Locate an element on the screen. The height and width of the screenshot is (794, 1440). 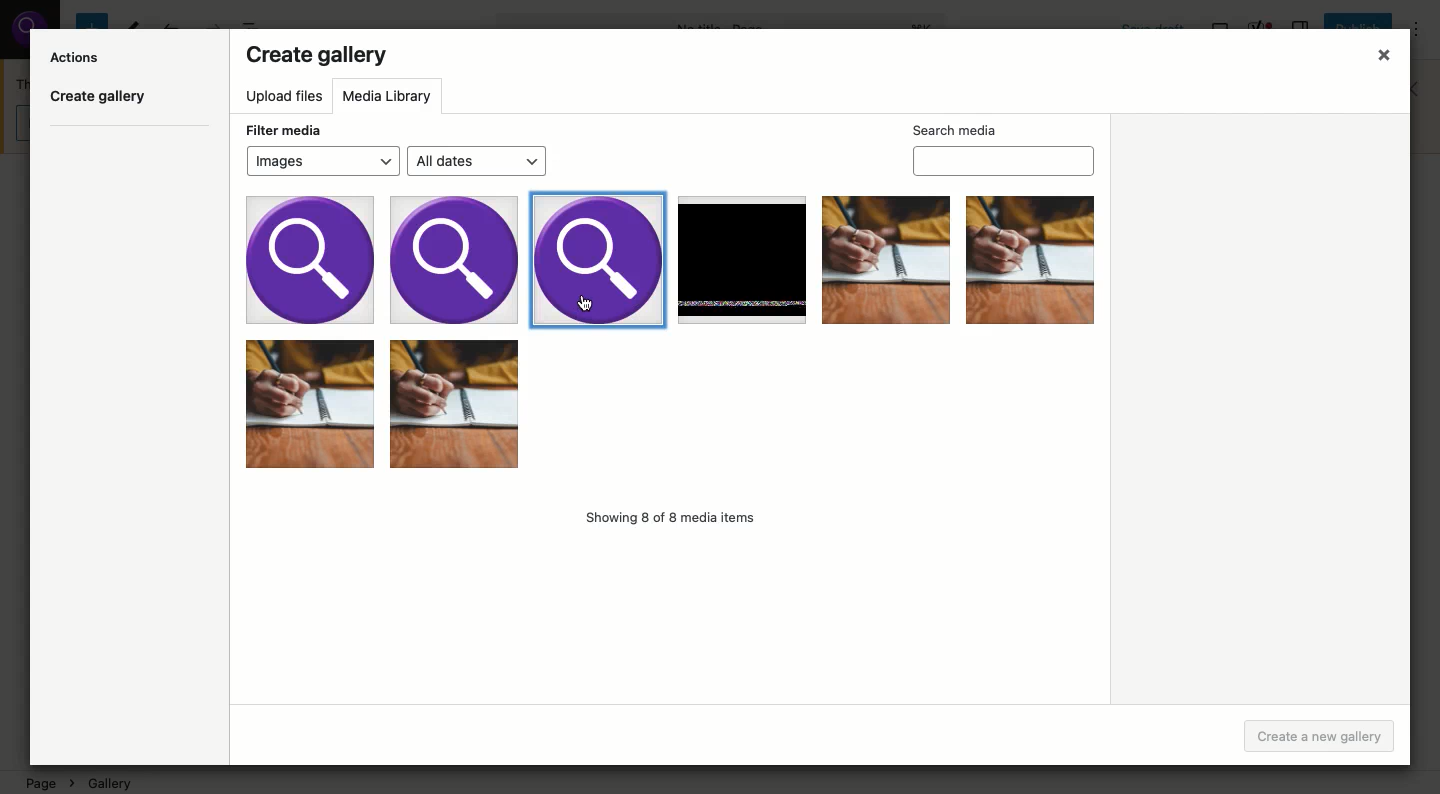
Upload files is located at coordinates (285, 98).